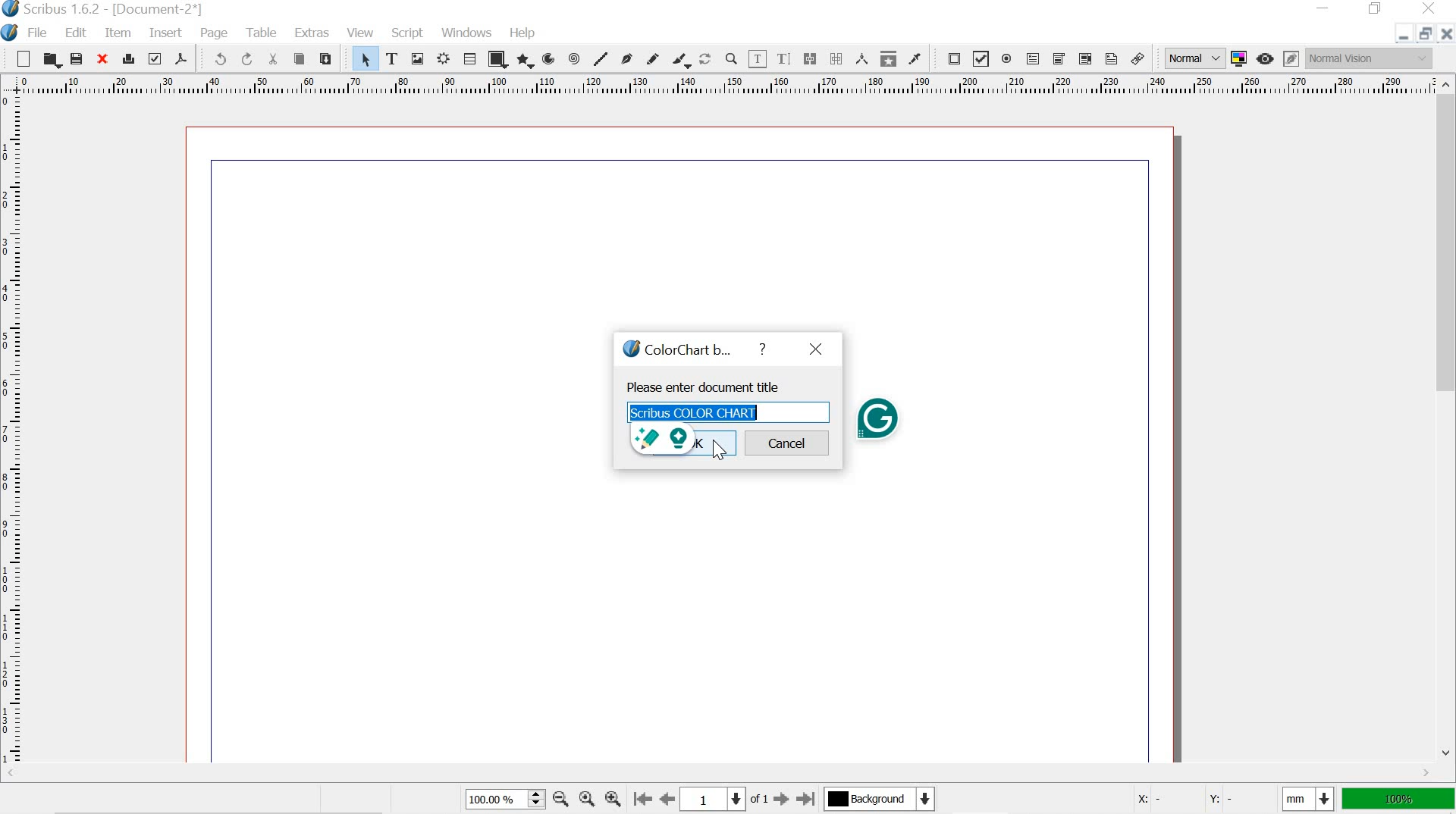  Describe the element at coordinates (409, 33) in the screenshot. I see `script` at that location.